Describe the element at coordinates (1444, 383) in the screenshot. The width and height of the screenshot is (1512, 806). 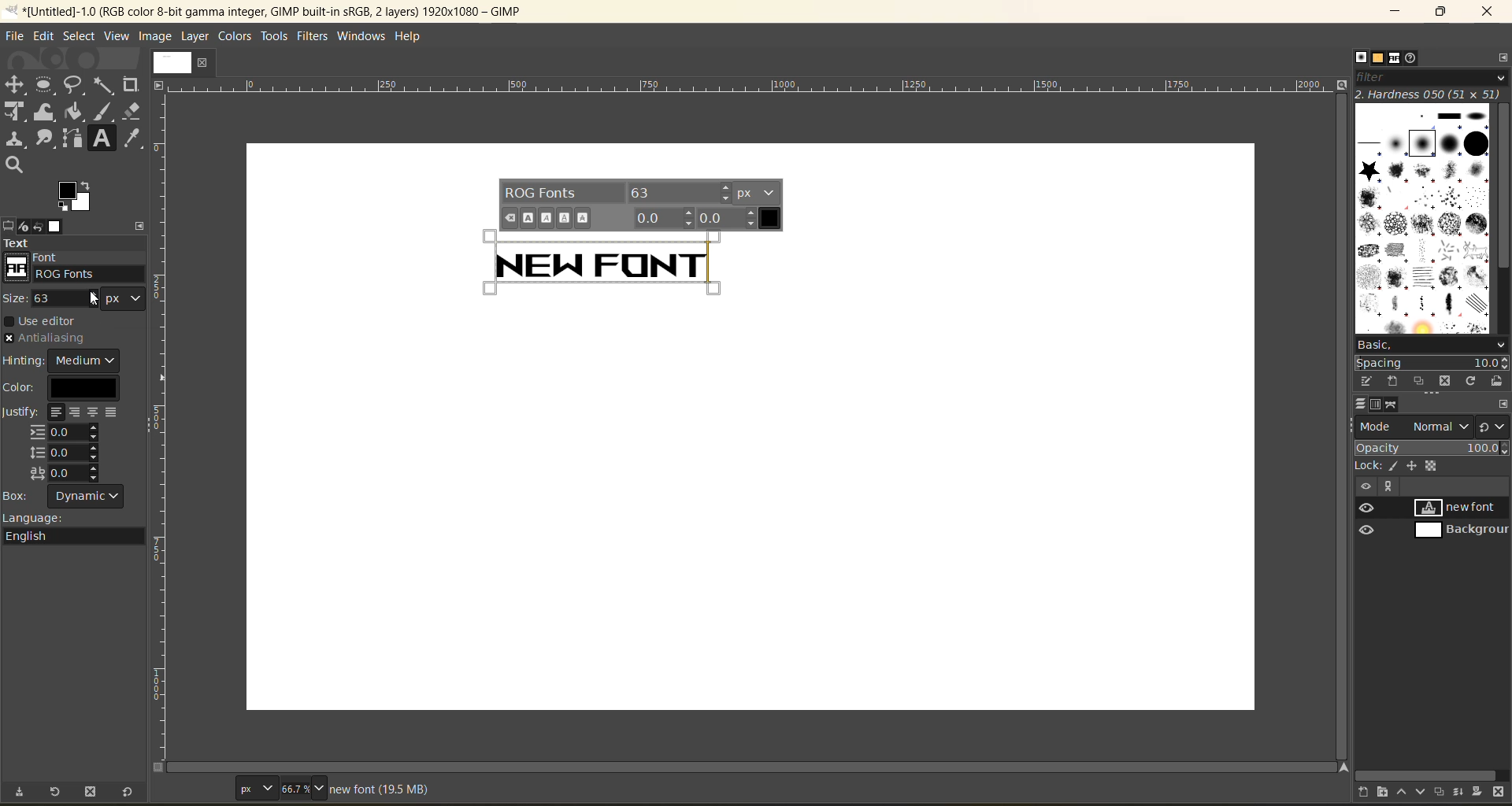
I see `delete this brush` at that location.